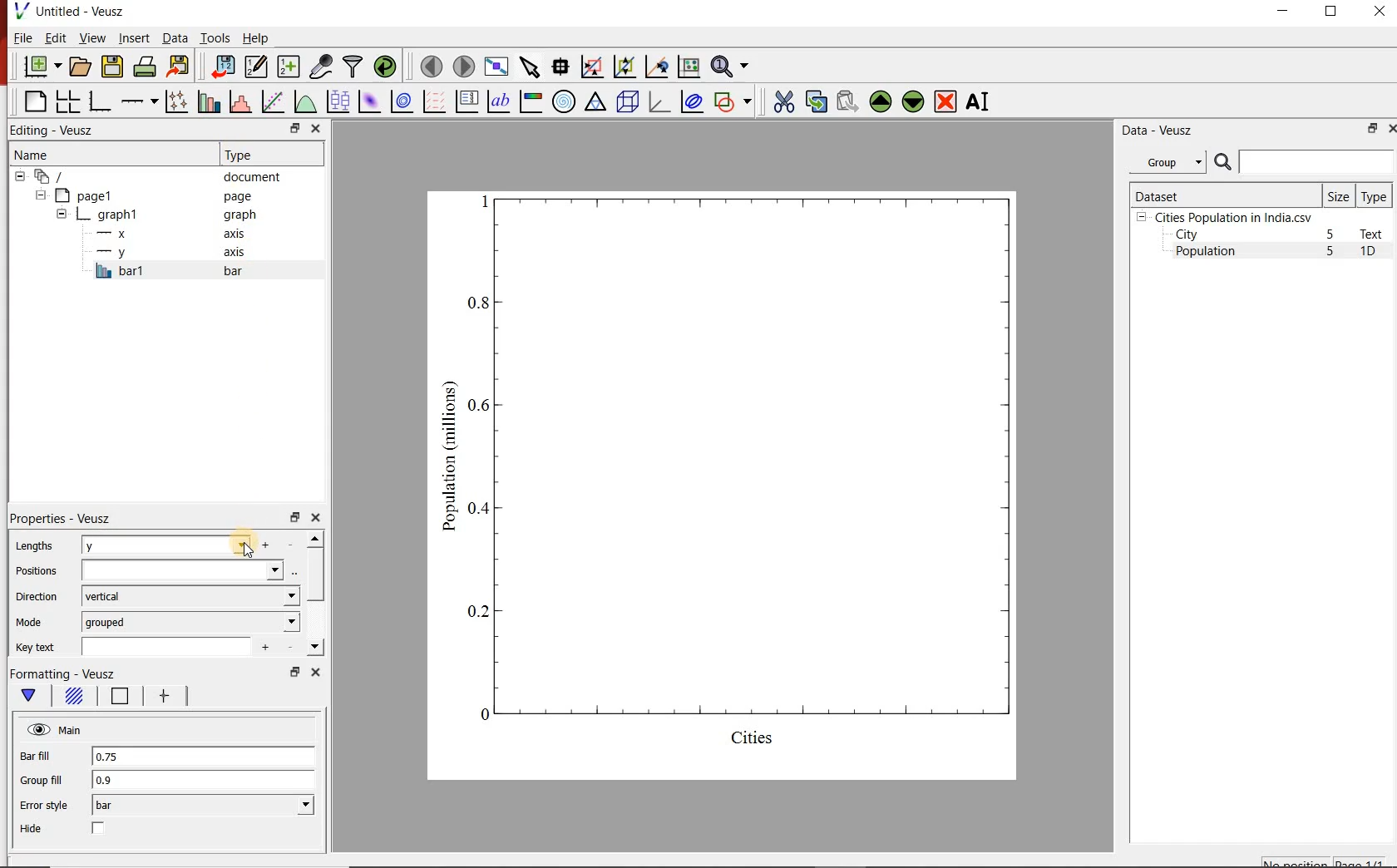  I want to click on Size, so click(1339, 195).